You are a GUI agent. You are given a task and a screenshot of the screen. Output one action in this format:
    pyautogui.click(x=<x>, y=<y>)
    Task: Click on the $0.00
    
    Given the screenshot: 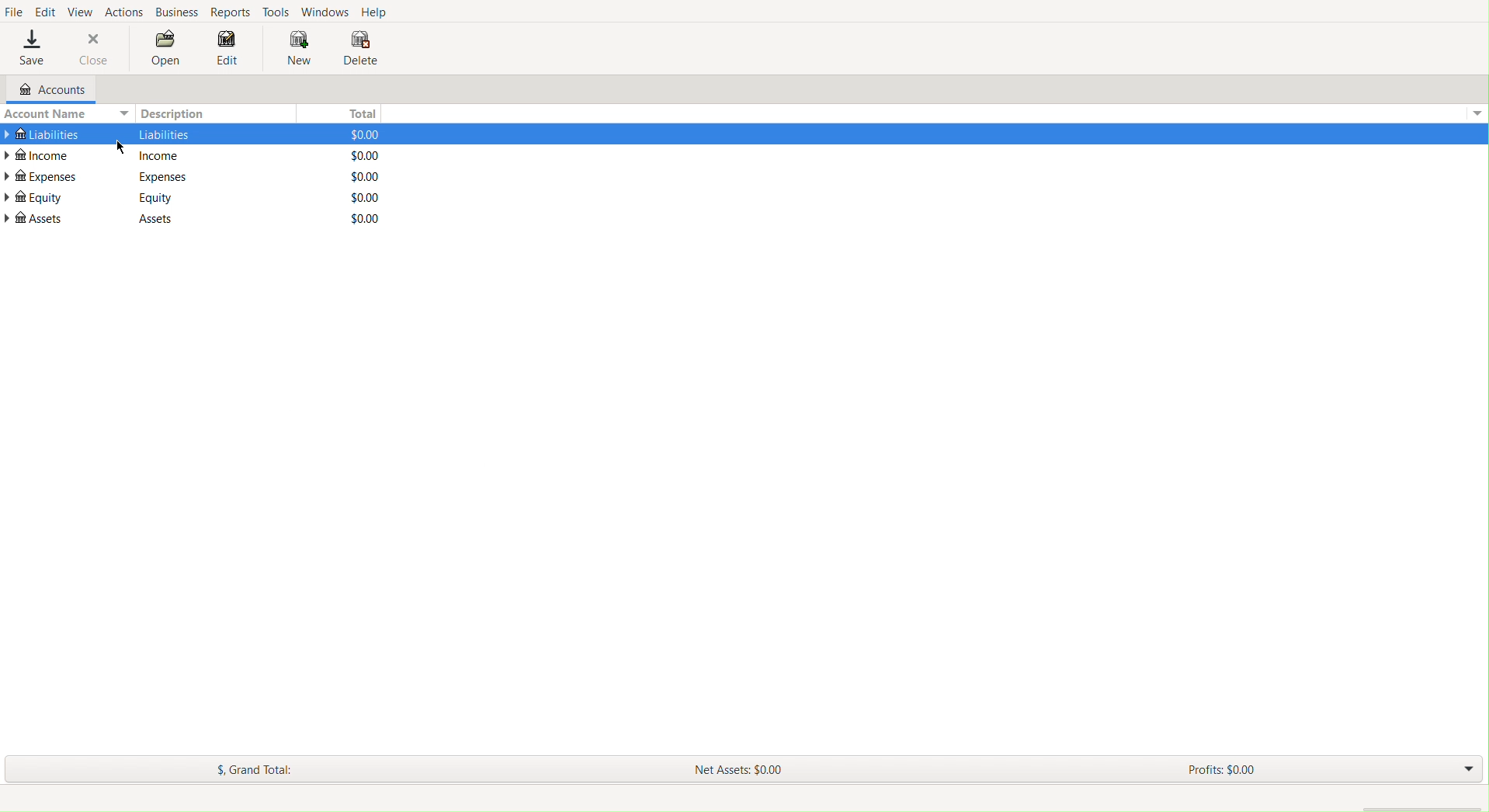 What is the action you would take?
    pyautogui.click(x=358, y=218)
    